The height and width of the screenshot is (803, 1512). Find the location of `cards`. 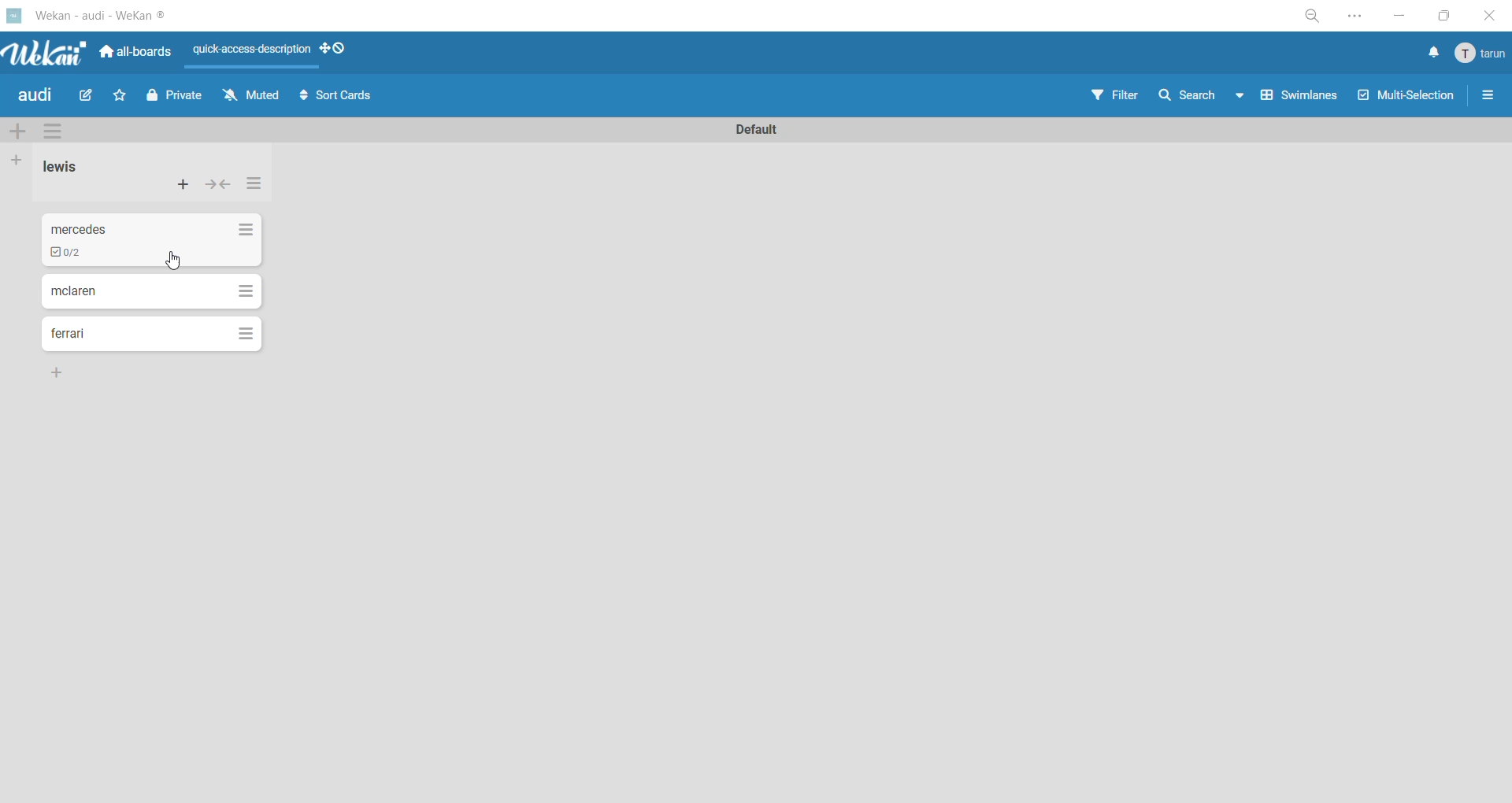

cards is located at coordinates (150, 335).